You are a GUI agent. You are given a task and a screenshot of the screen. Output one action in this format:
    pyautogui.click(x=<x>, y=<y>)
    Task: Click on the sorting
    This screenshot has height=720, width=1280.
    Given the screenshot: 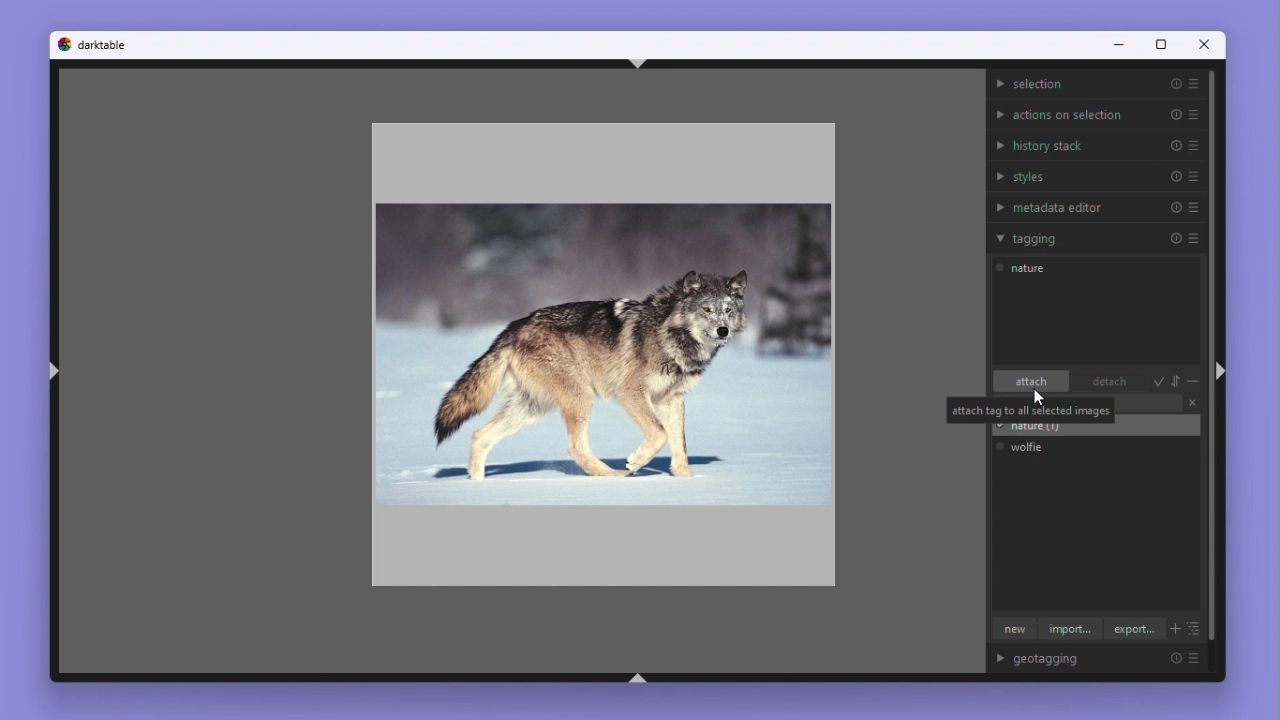 What is the action you would take?
    pyautogui.click(x=1177, y=381)
    